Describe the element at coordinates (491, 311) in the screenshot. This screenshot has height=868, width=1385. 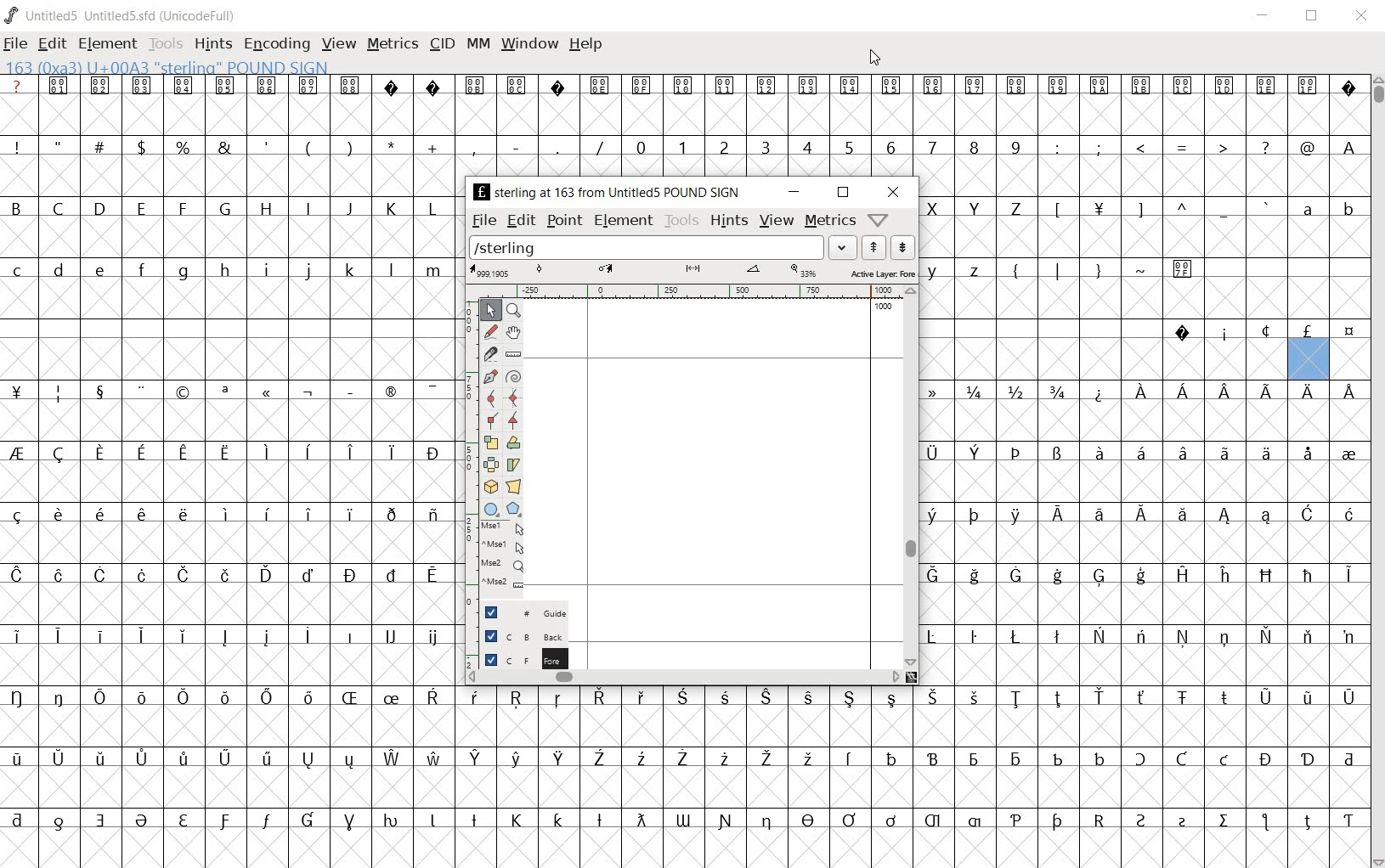
I see `Point` at that location.